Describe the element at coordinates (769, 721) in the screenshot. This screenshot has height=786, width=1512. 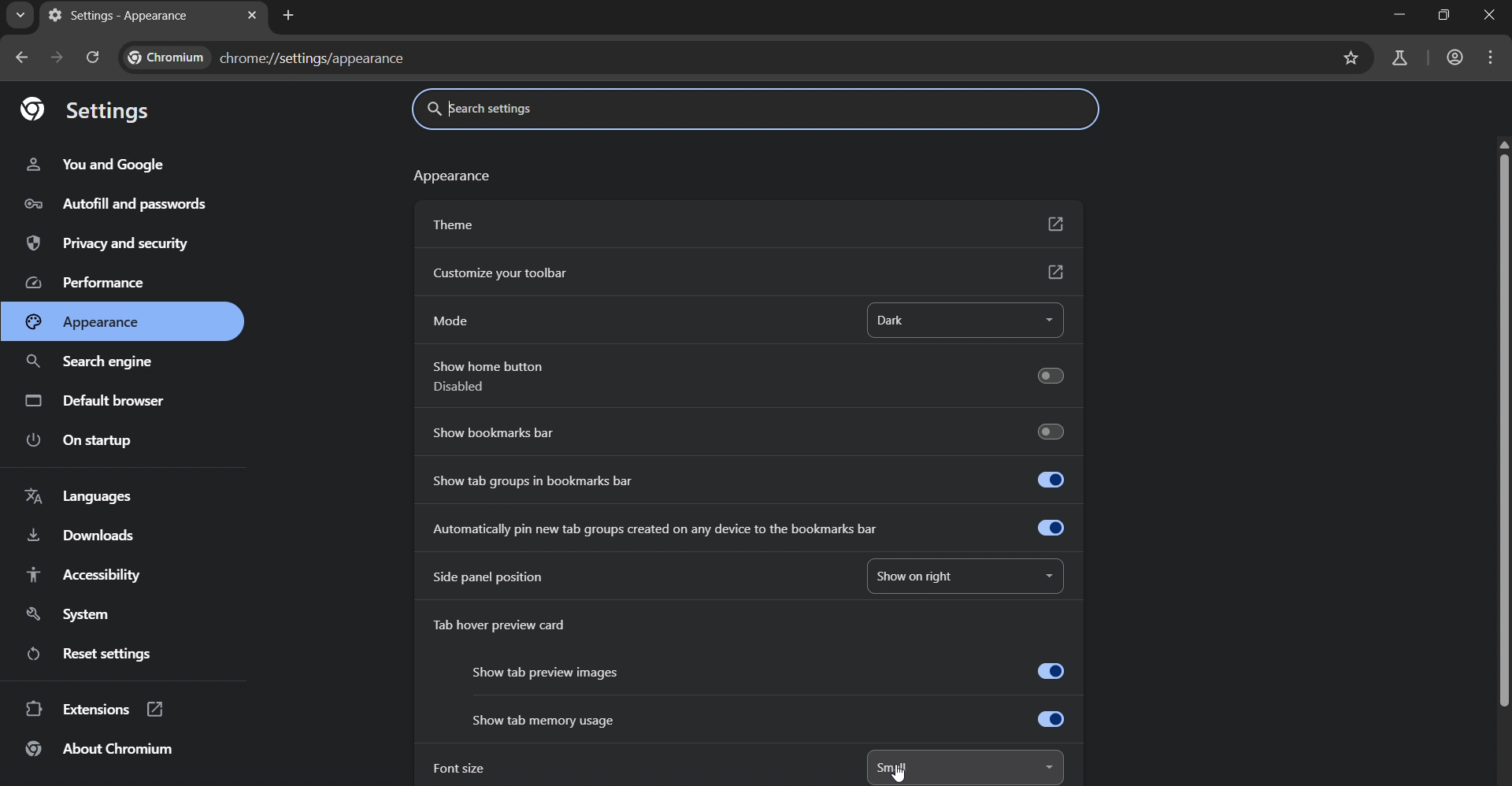
I see `show tab memory usage` at that location.